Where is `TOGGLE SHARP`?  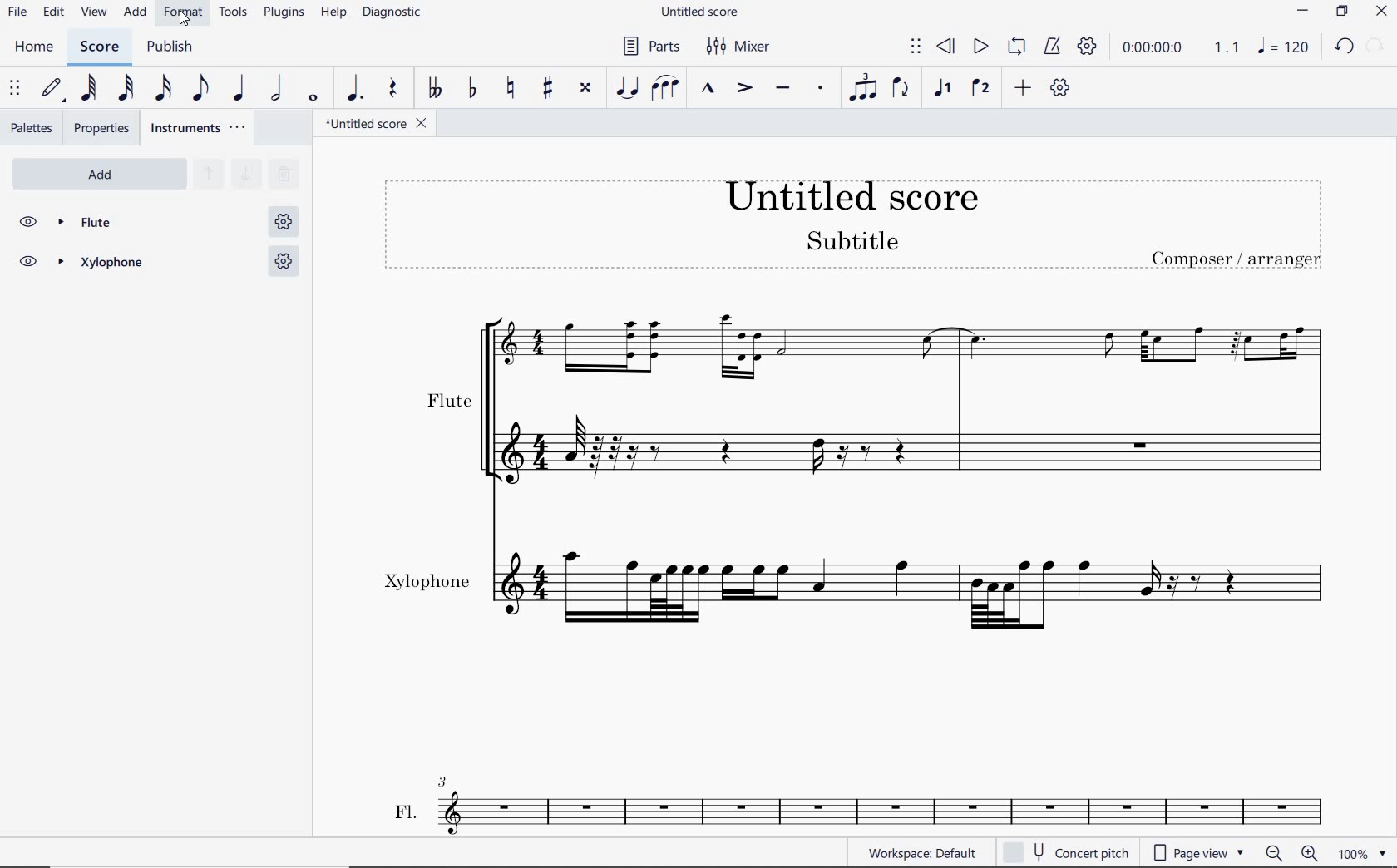
TOGGLE SHARP is located at coordinates (548, 90).